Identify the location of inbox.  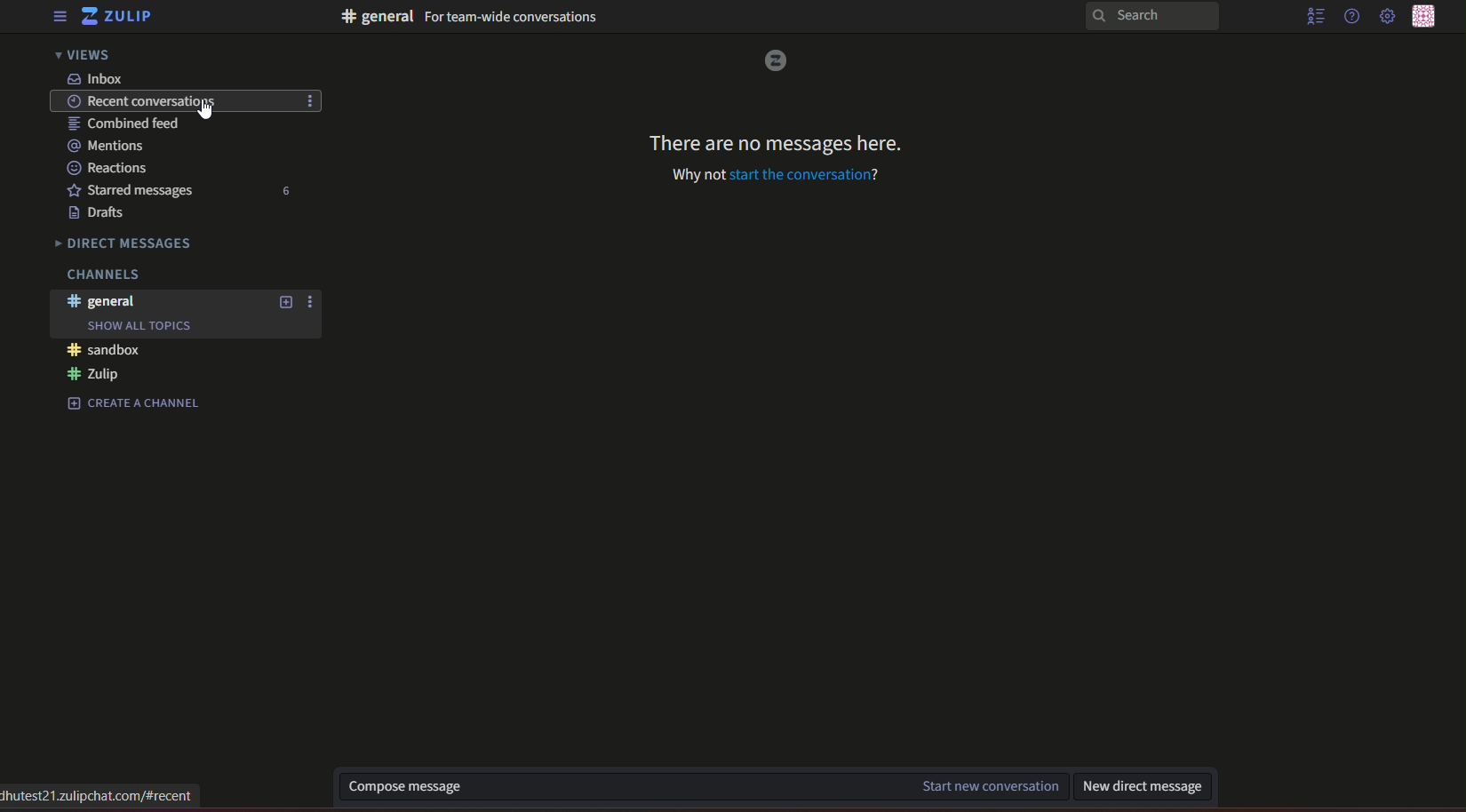
(98, 78).